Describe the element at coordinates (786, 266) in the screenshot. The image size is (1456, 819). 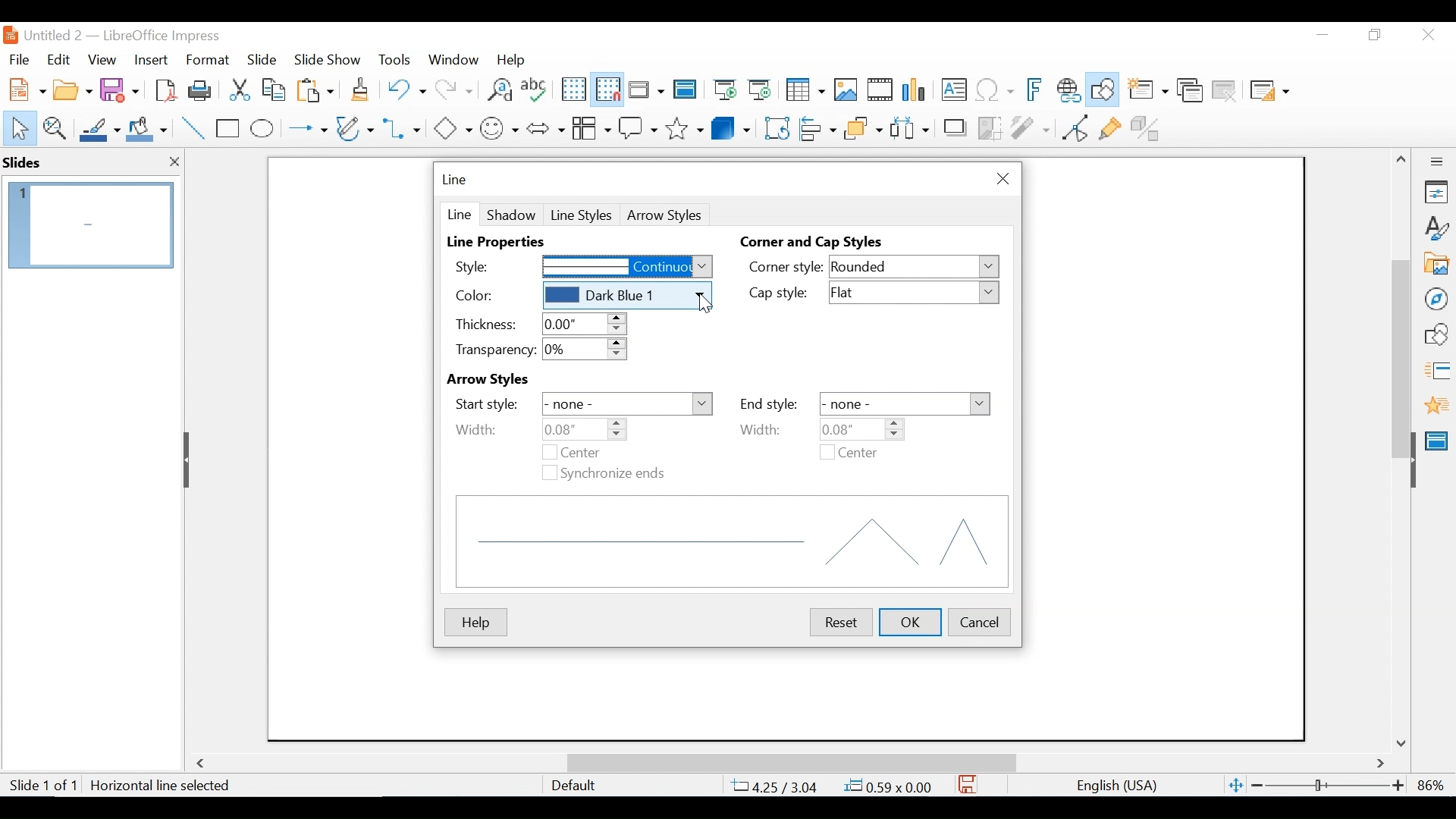
I see `Corner style` at that location.